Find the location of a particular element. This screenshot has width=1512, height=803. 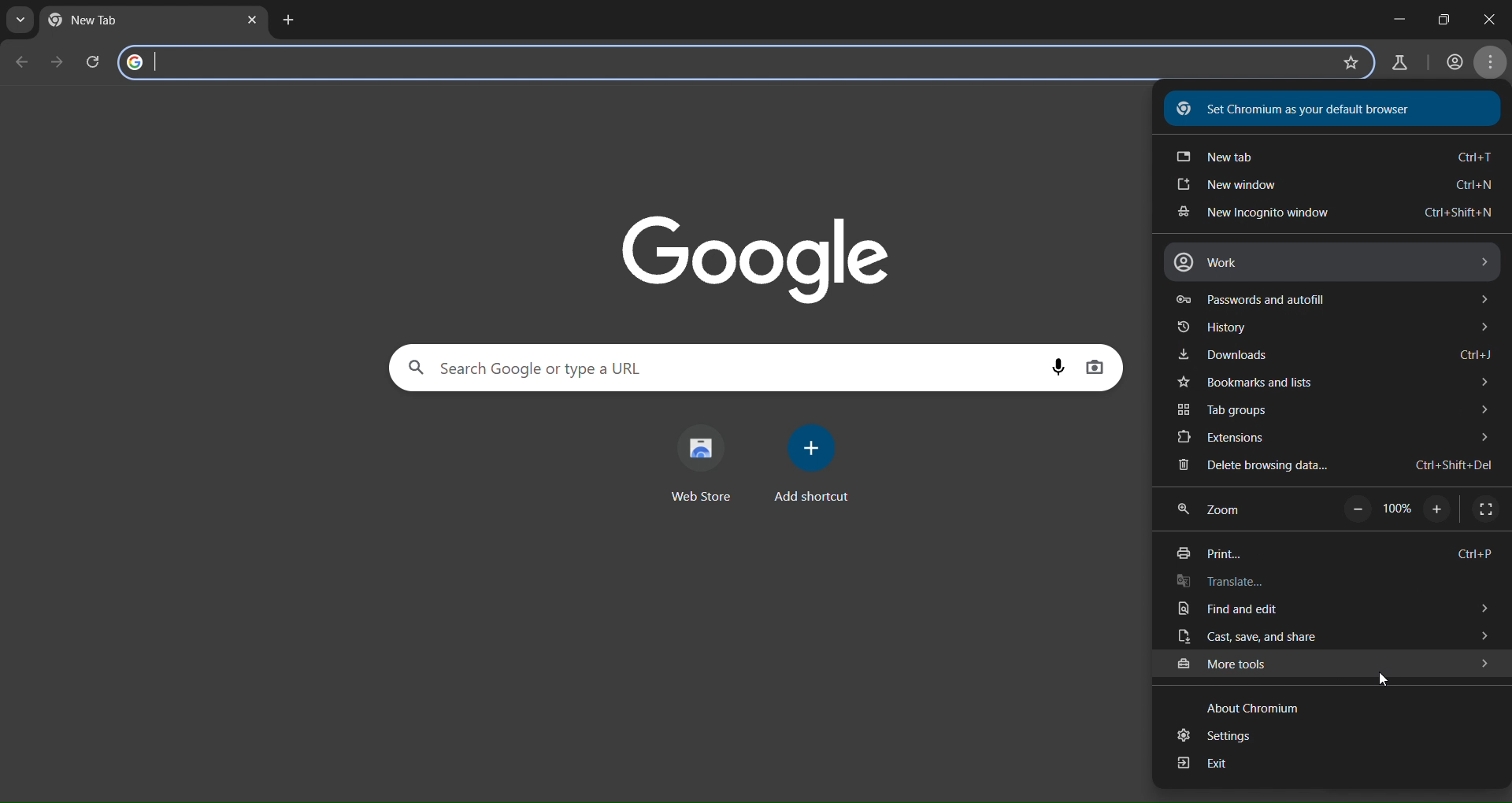

extensions is located at coordinates (1335, 438).